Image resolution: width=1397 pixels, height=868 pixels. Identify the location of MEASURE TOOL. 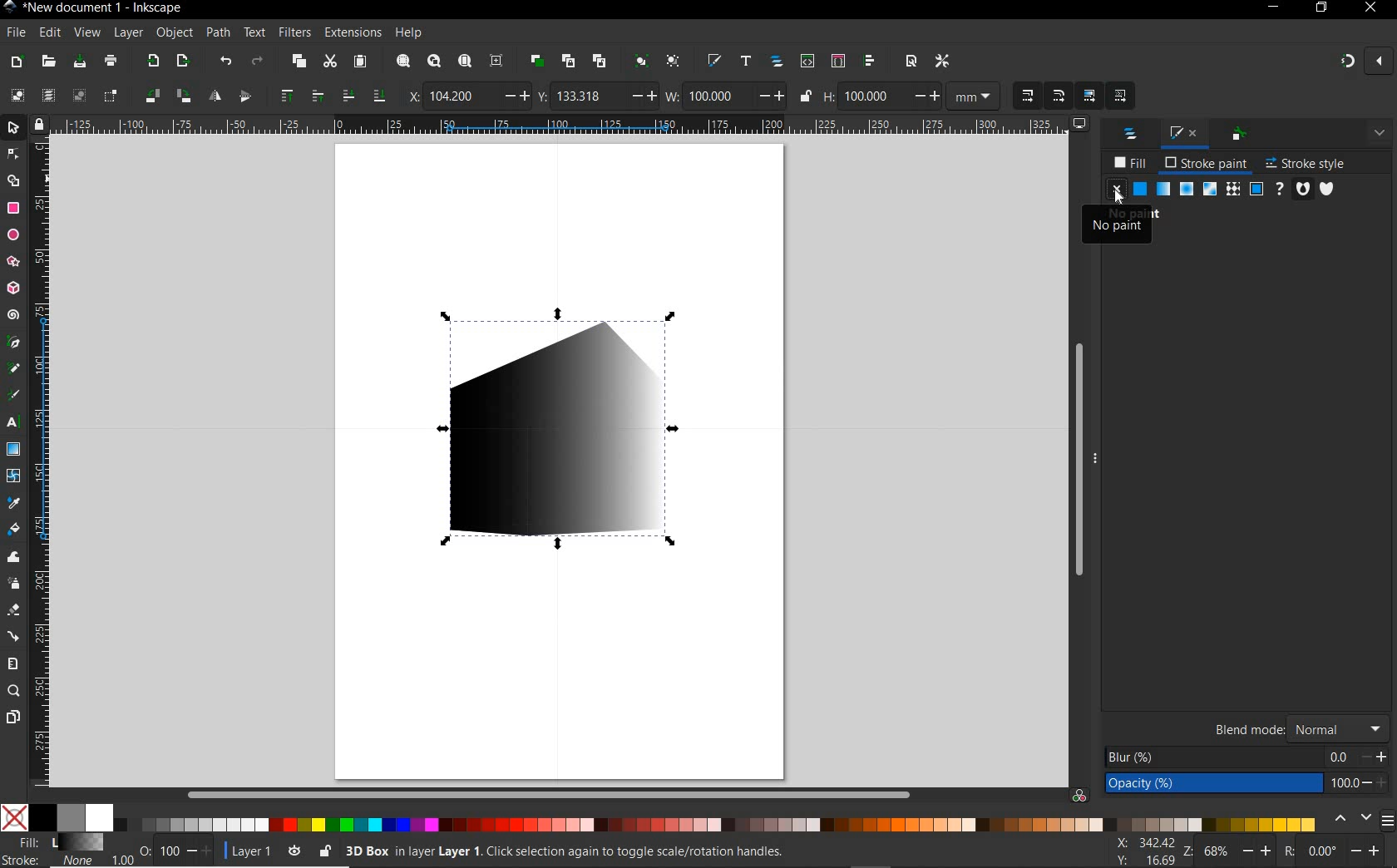
(13, 663).